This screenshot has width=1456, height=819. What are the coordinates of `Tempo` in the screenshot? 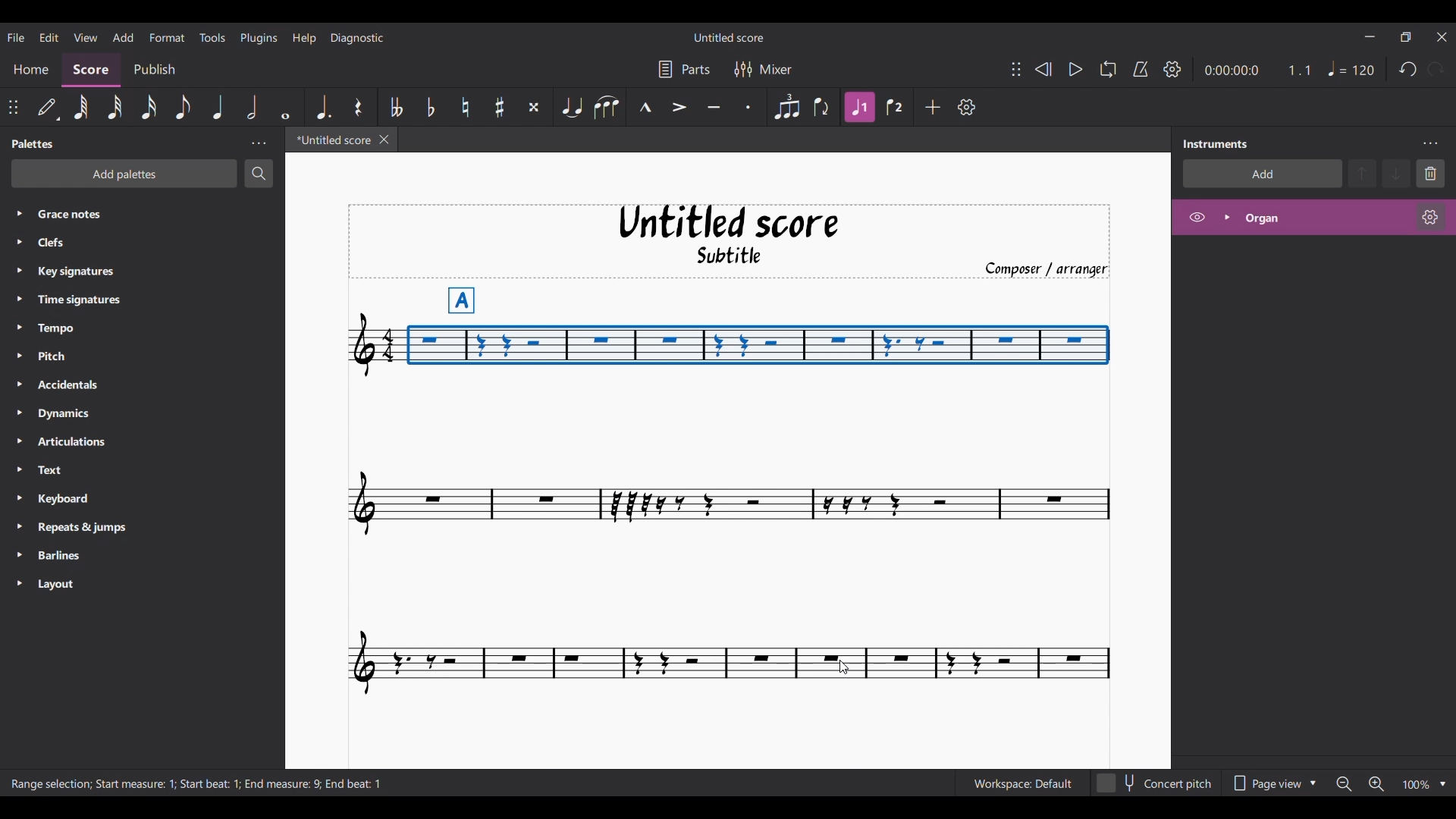 It's located at (85, 329).